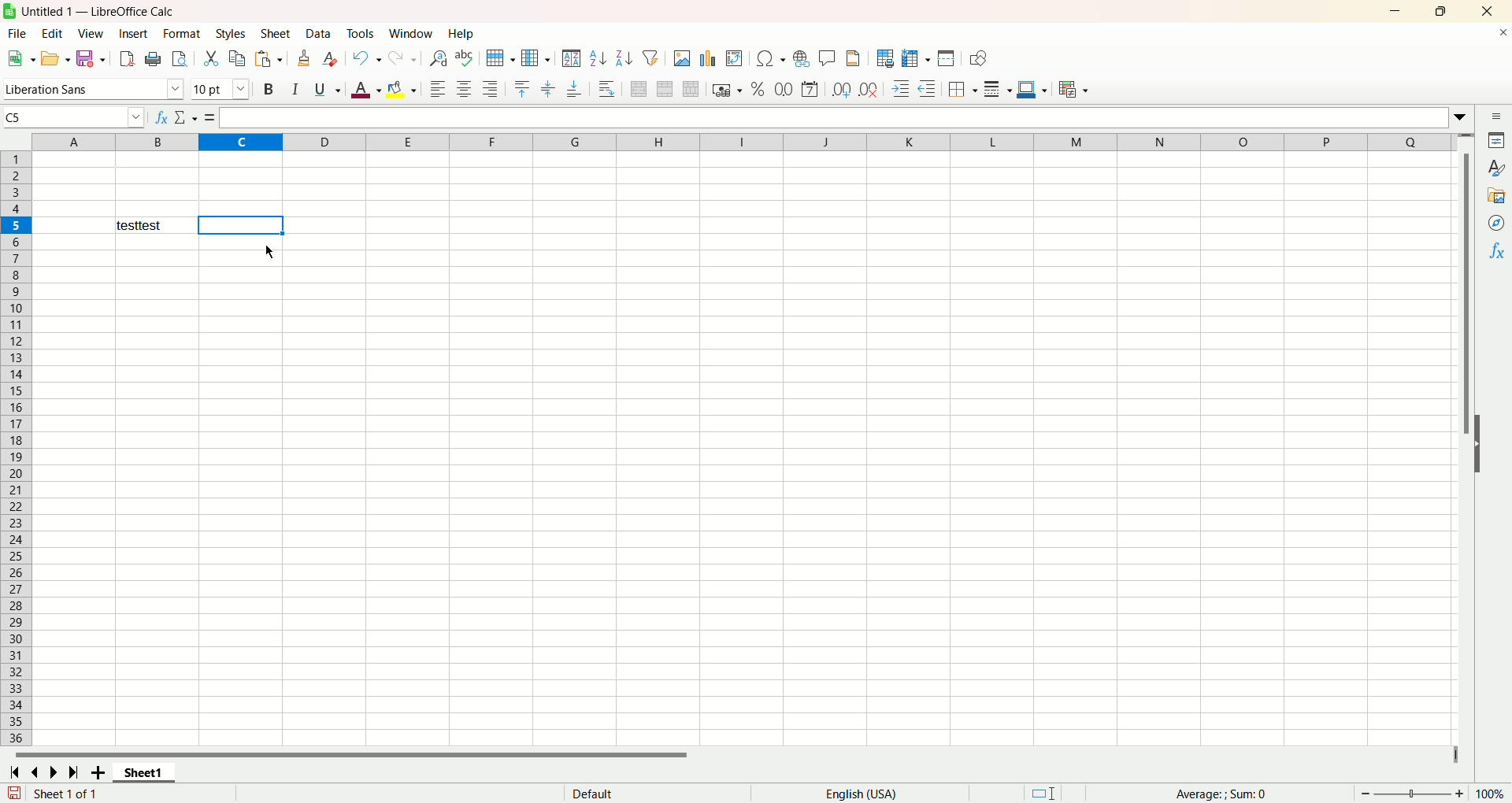 Image resolution: width=1512 pixels, height=803 pixels. Describe the element at coordinates (211, 118) in the screenshot. I see `formula` at that location.